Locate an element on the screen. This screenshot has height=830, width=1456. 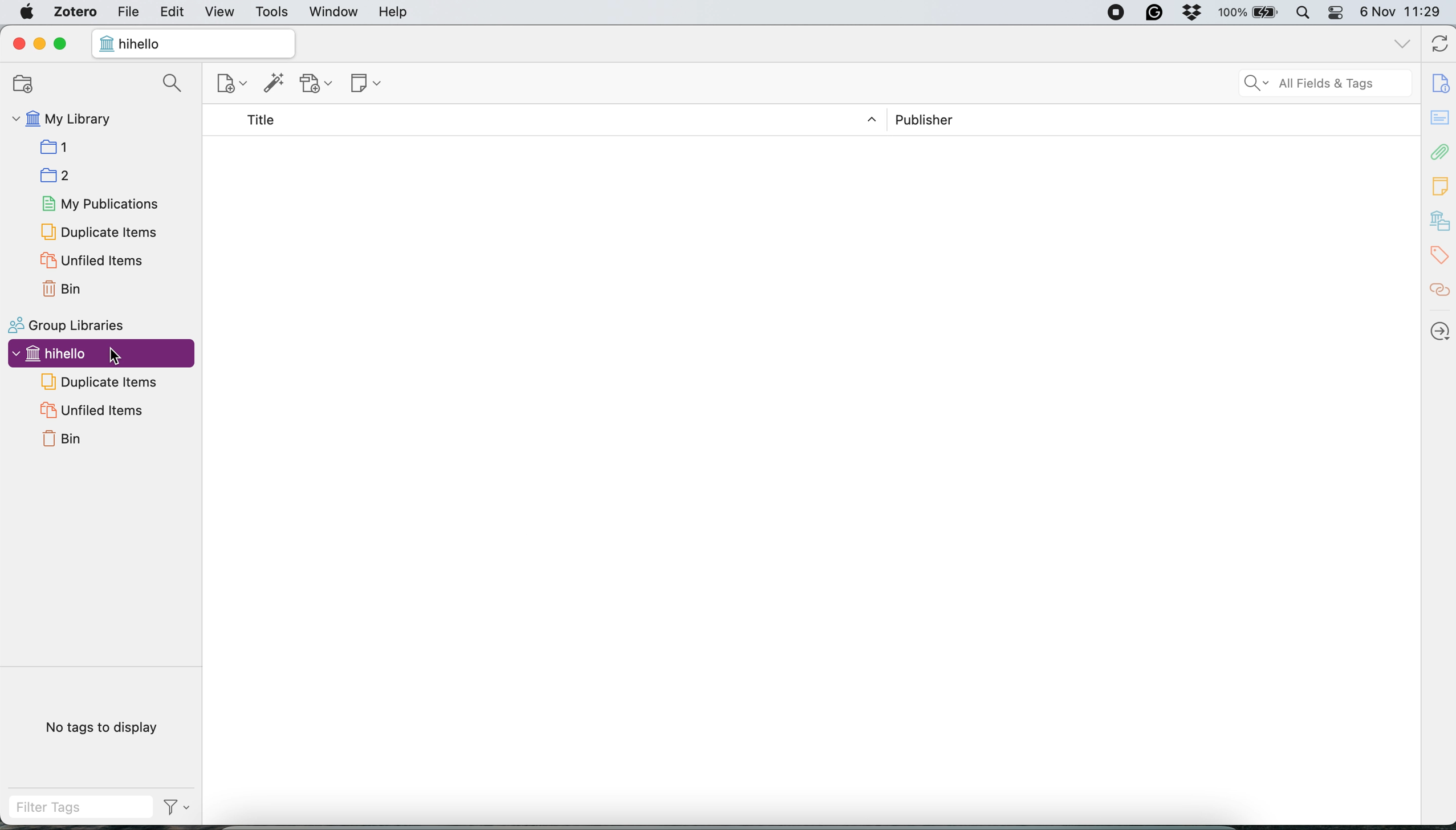
dropbox is located at coordinates (1188, 14).